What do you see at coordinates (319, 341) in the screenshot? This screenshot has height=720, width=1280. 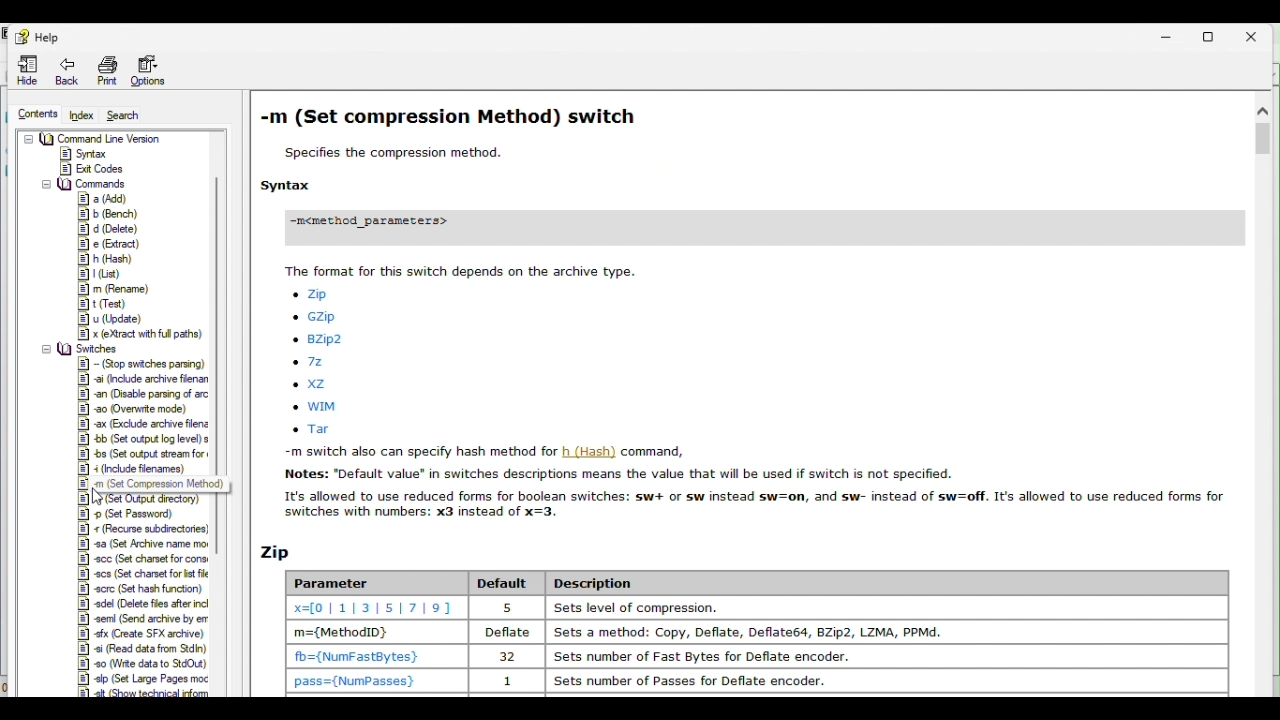 I see `bzip2` at bounding box center [319, 341].